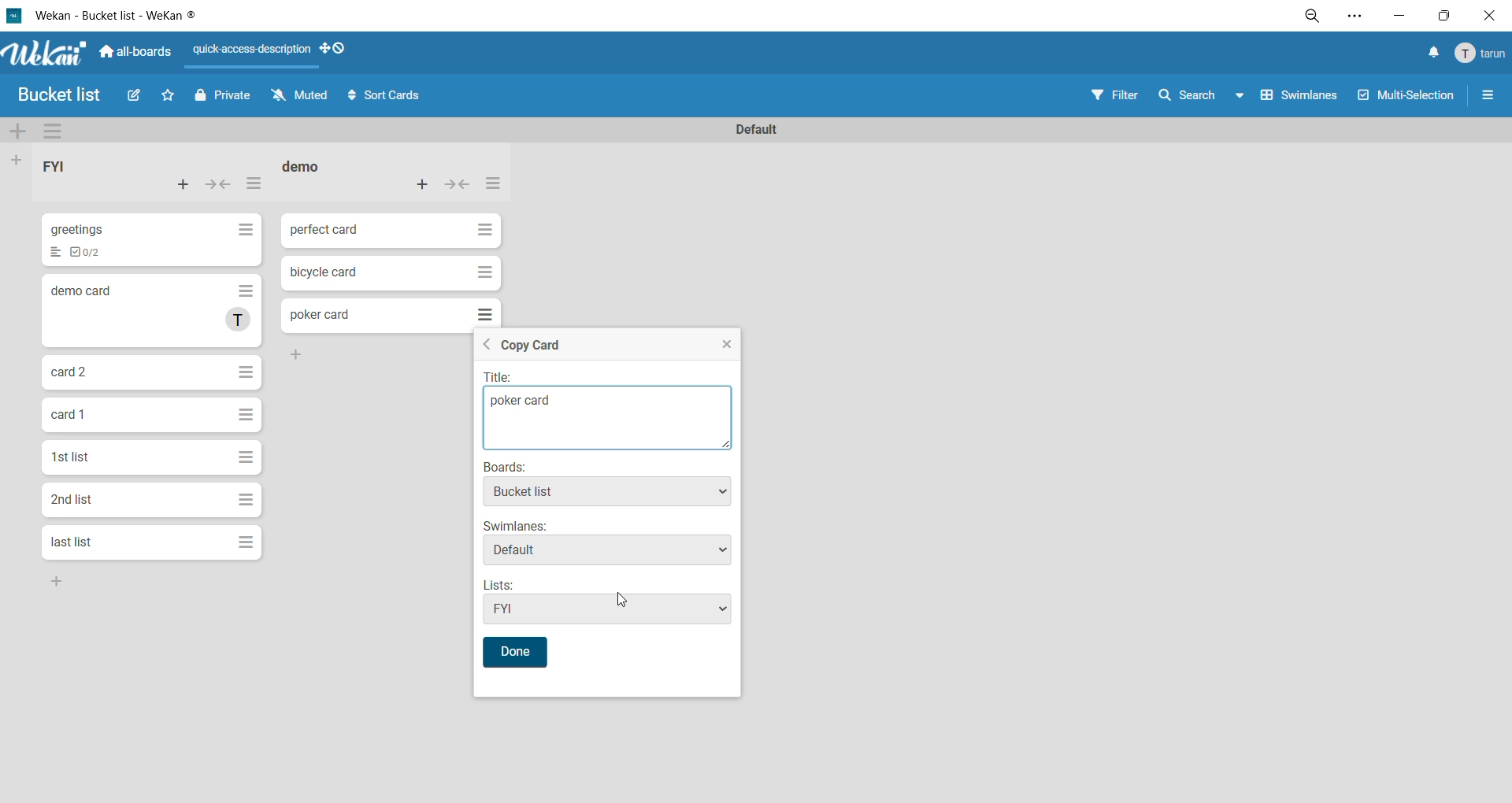 This screenshot has width=1512, height=803. I want to click on collapse, so click(458, 187).